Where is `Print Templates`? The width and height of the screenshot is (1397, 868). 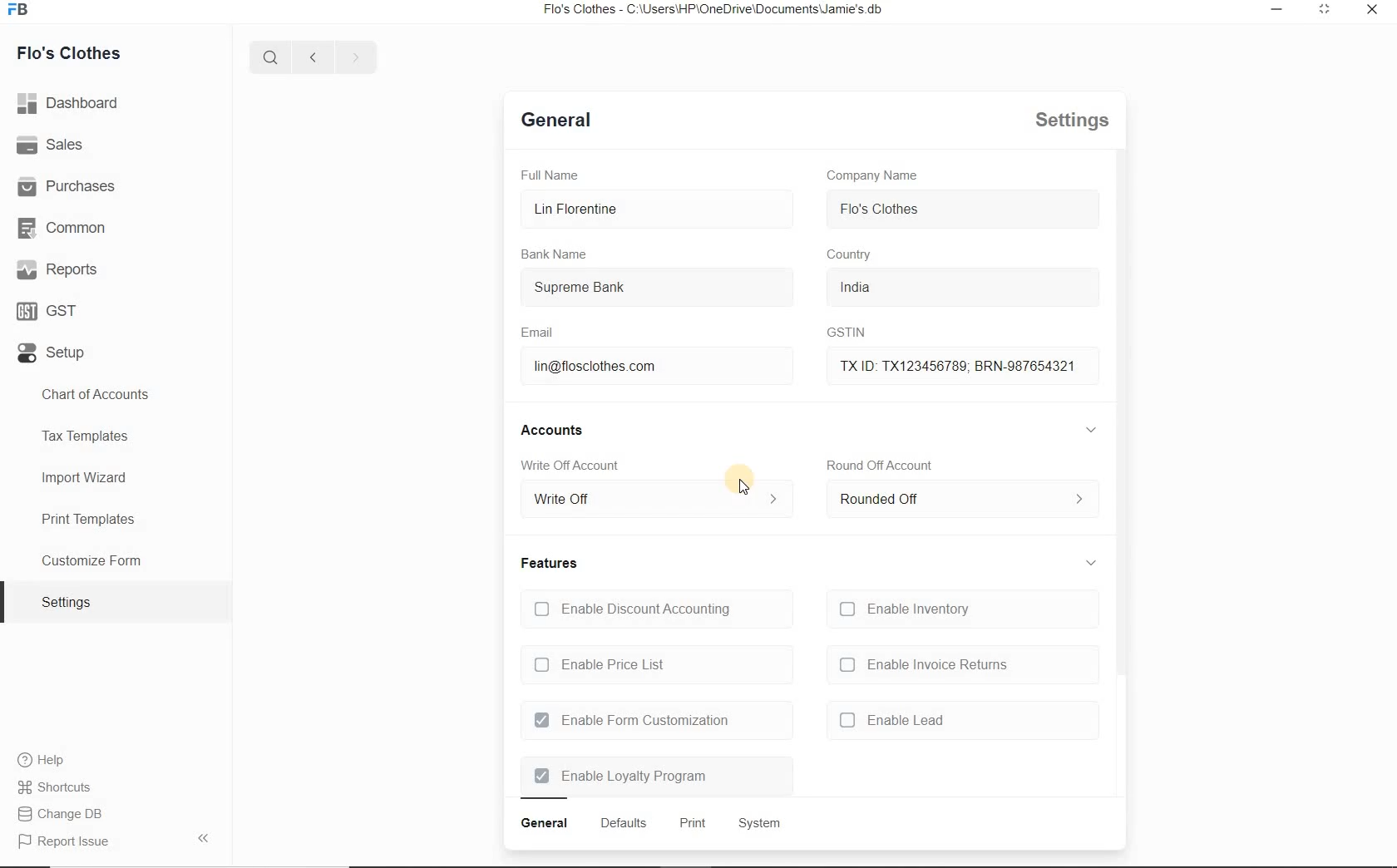
Print Templates is located at coordinates (86, 518).